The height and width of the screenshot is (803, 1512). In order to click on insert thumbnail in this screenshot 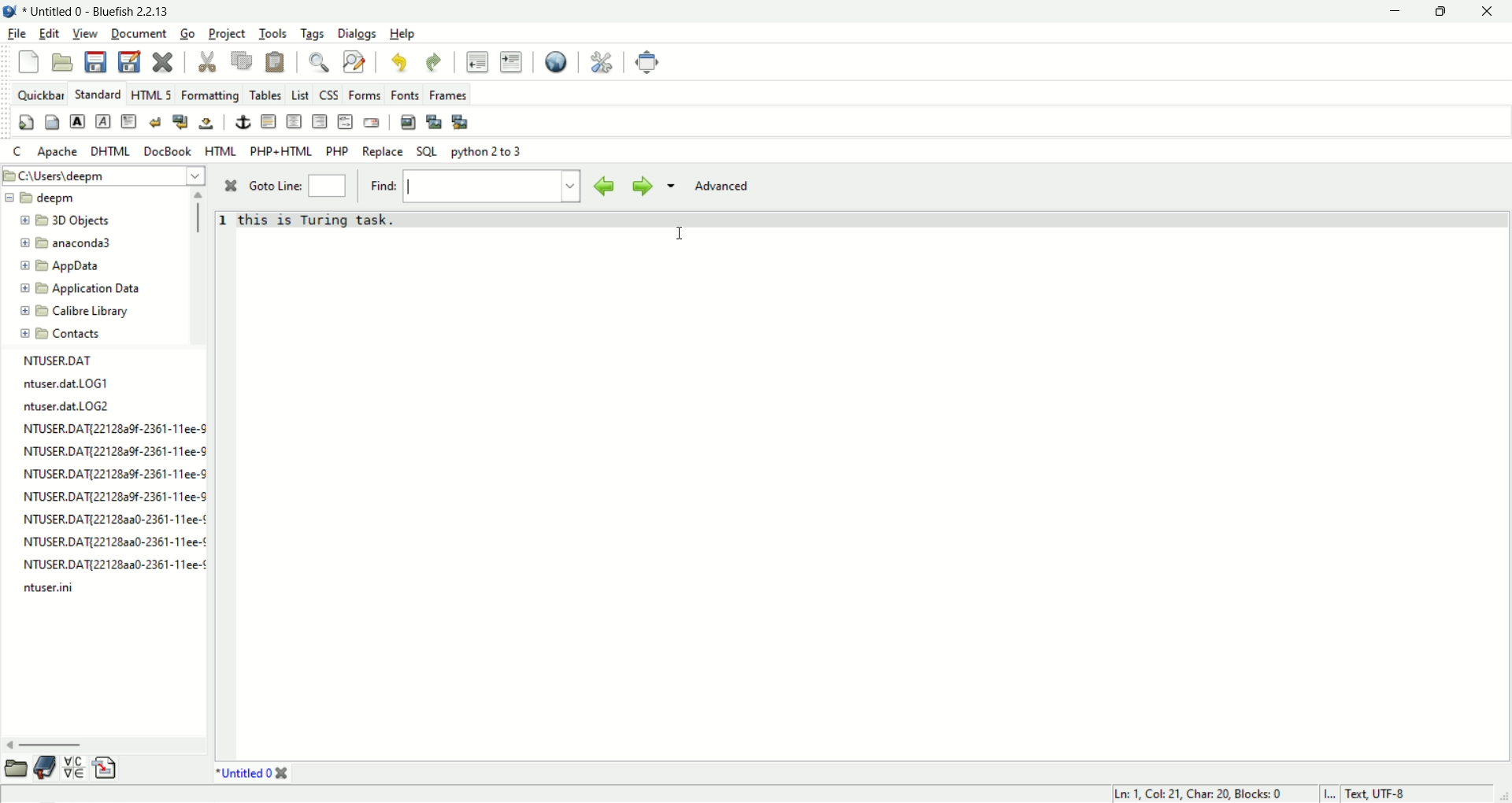, I will do `click(435, 121)`.